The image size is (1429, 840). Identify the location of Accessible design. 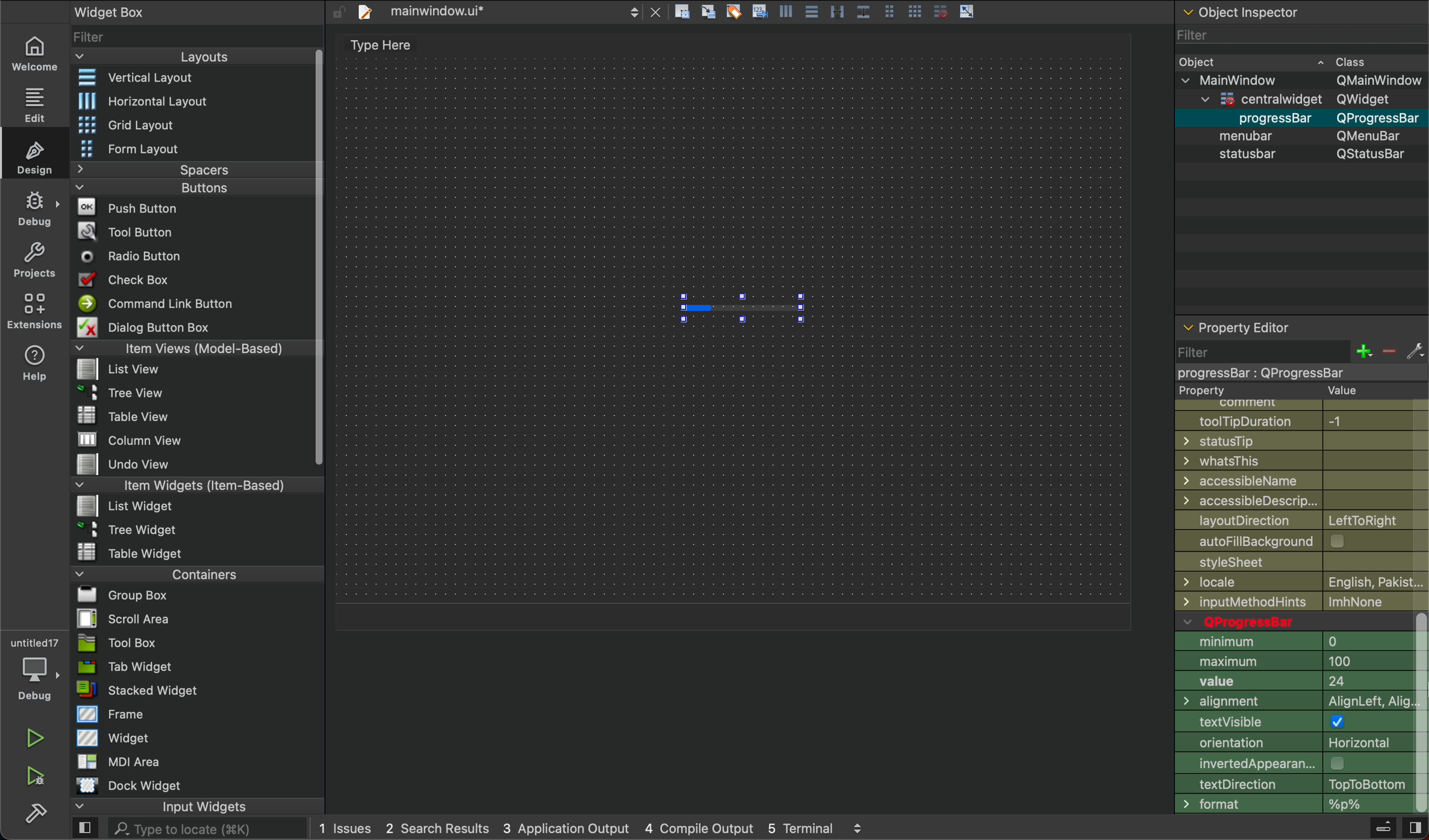
(1302, 500).